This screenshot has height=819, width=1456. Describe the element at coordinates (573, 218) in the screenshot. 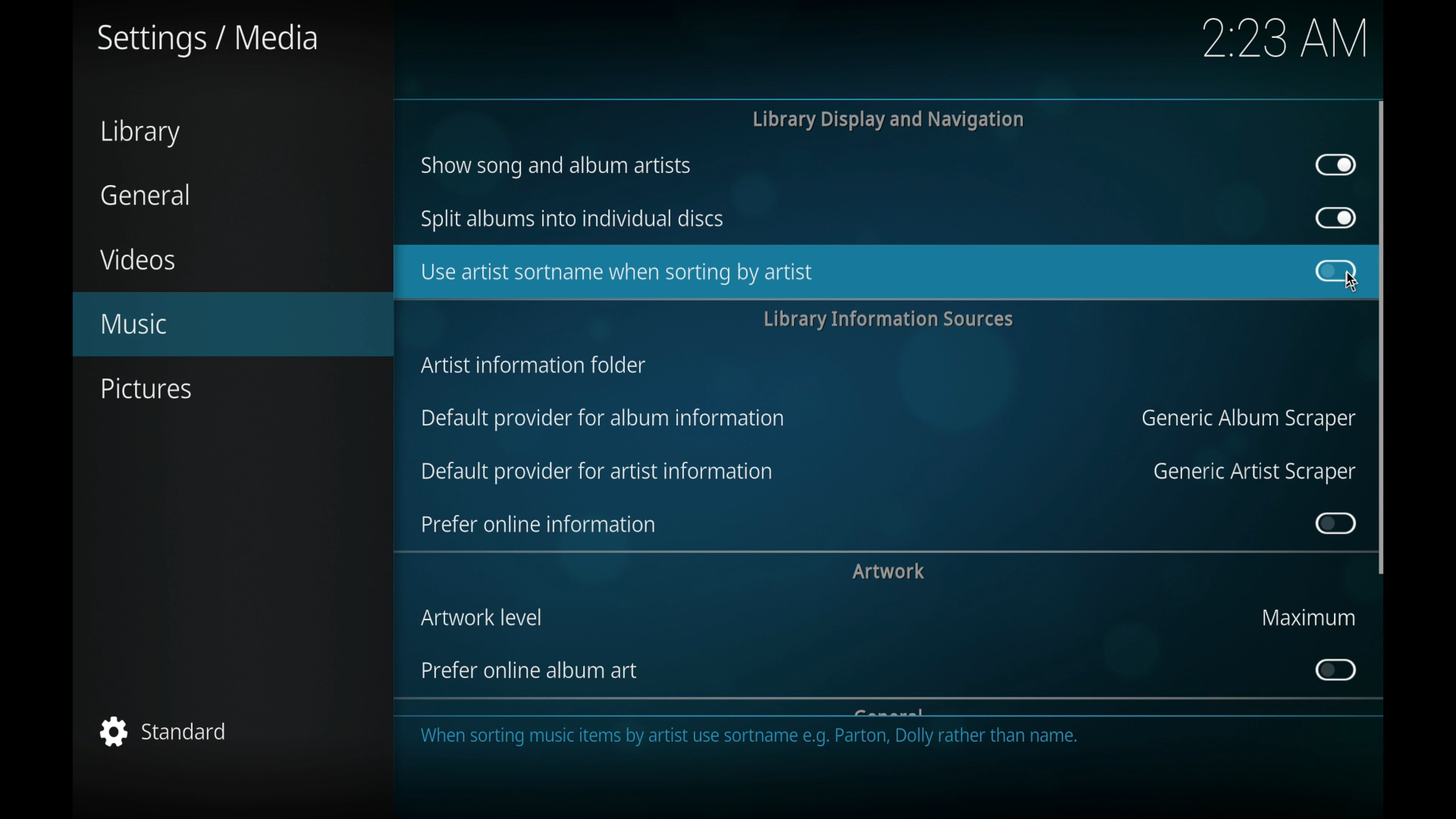

I see `split albums into individual discs` at that location.